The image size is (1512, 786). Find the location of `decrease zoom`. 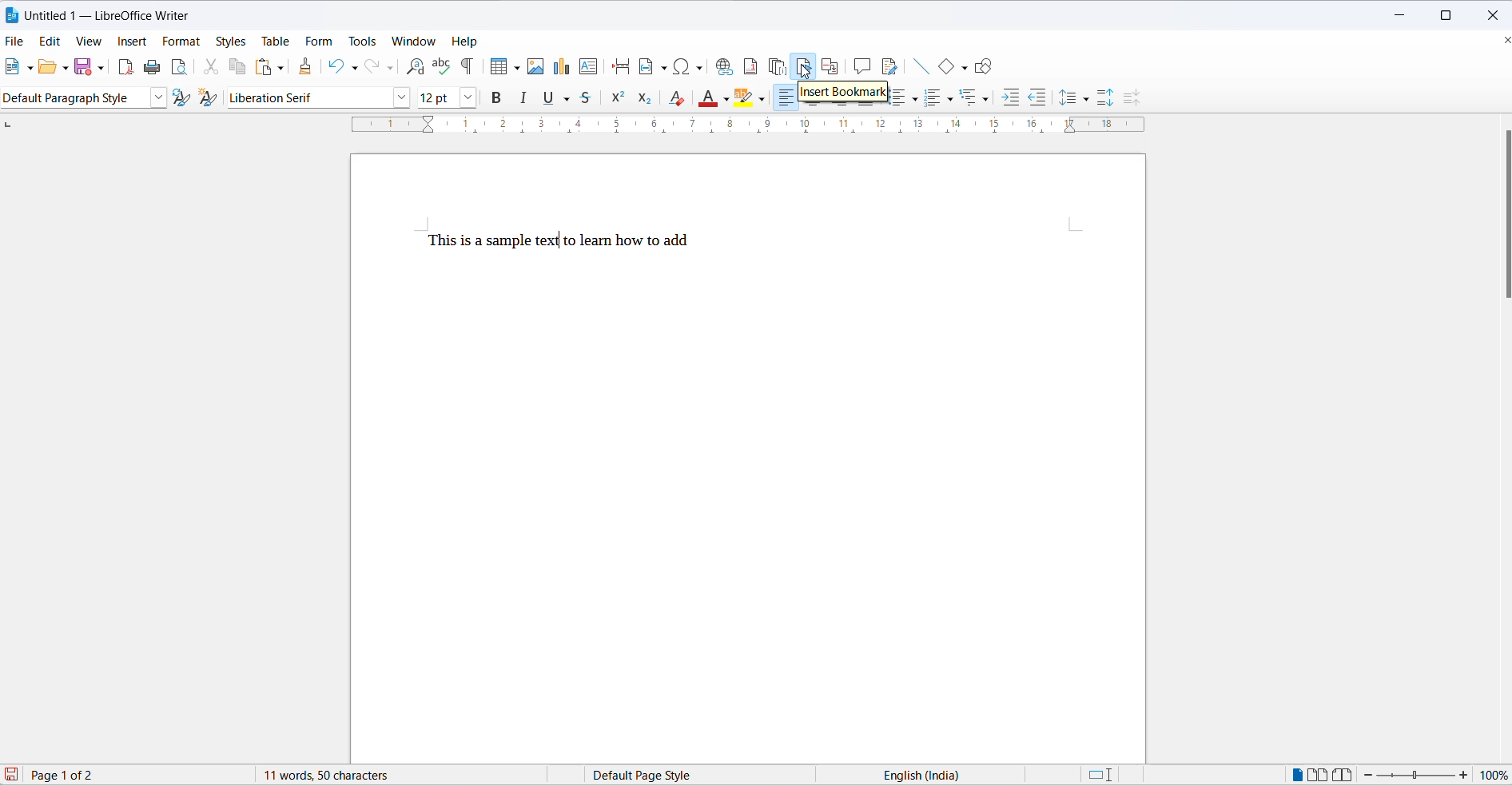

decrease zoom is located at coordinates (1367, 775).